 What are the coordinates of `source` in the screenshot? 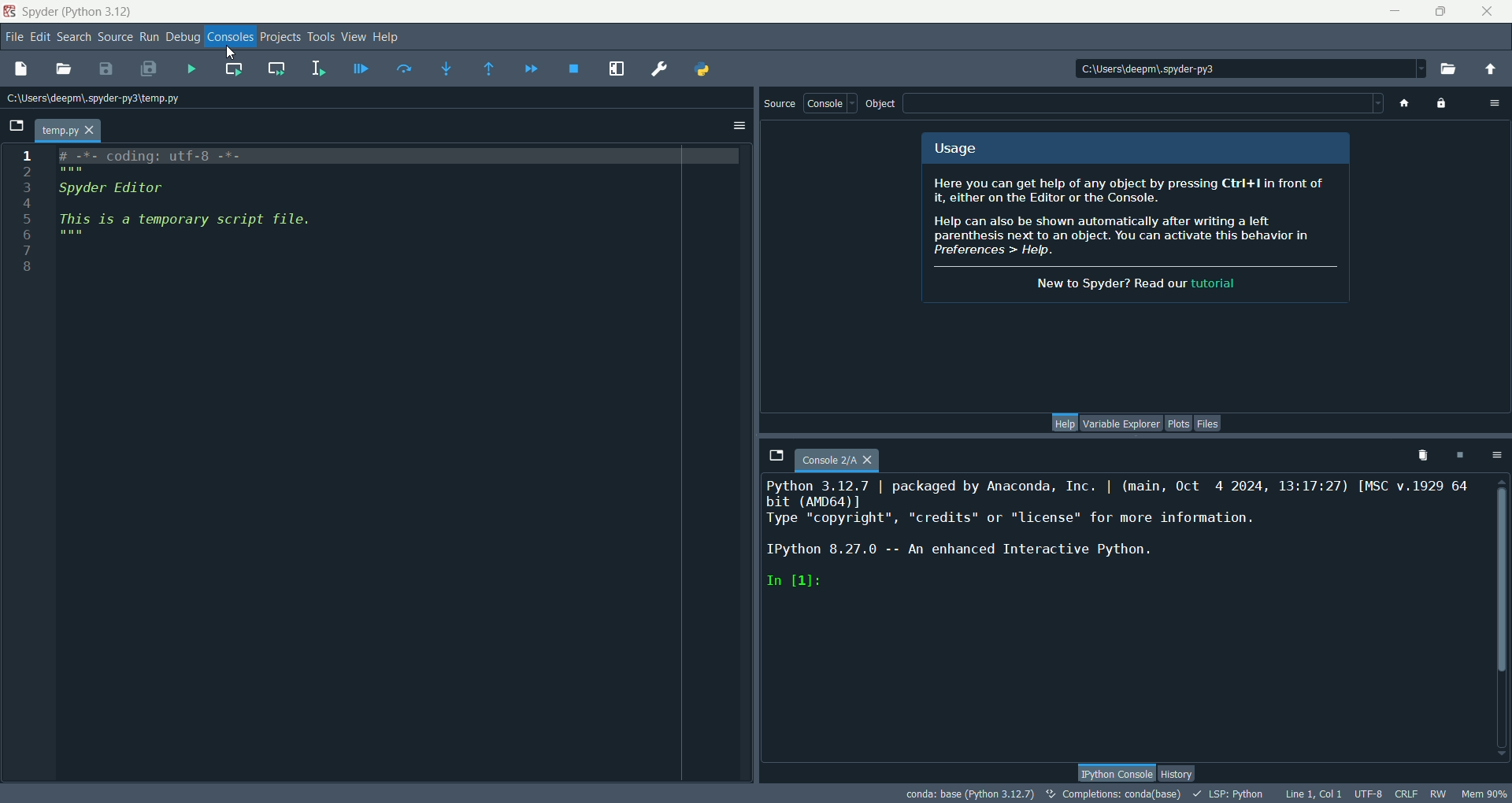 It's located at (778, 104).